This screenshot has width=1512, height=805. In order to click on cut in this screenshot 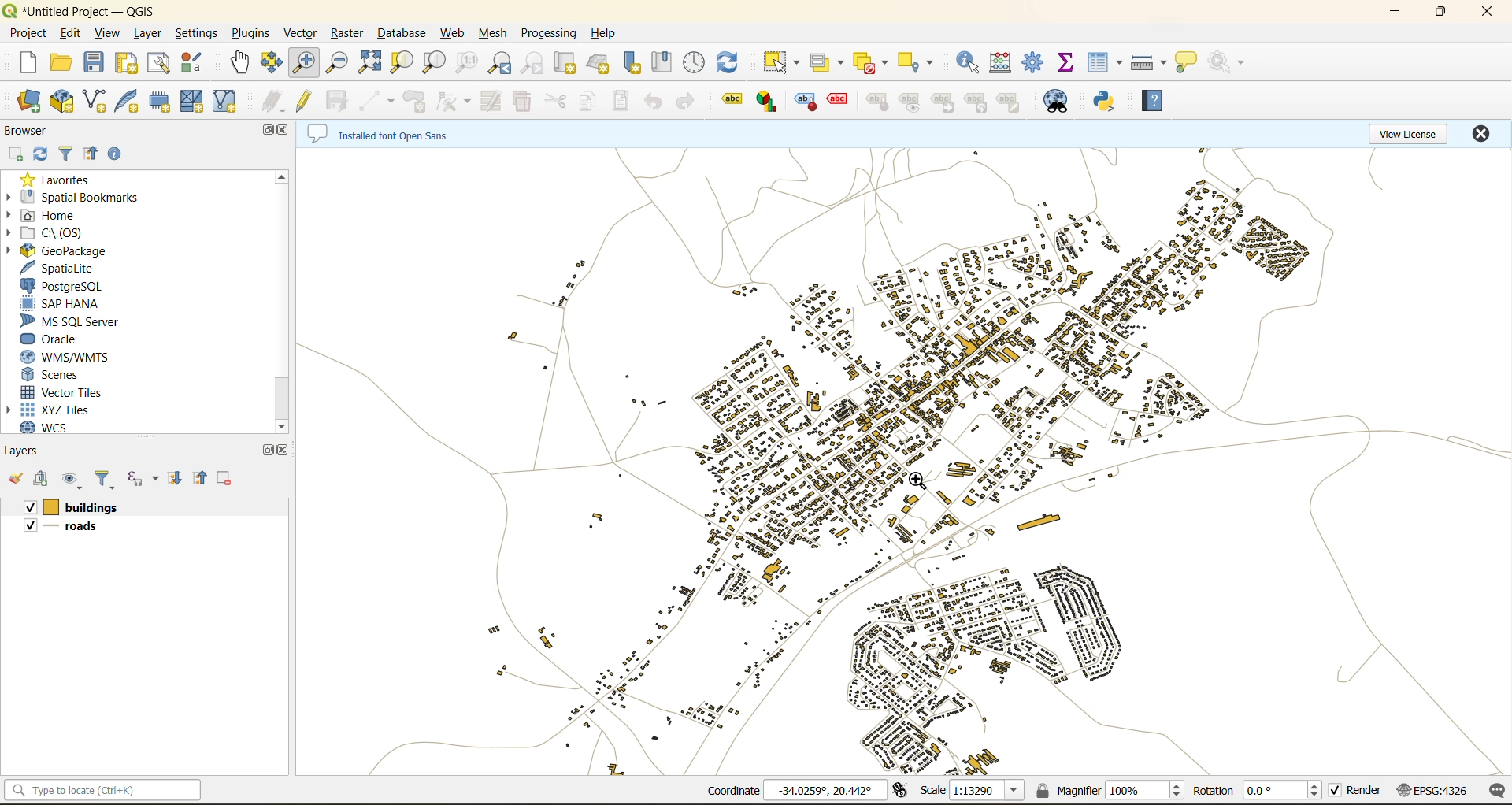, I will do `click(554, 102)`.